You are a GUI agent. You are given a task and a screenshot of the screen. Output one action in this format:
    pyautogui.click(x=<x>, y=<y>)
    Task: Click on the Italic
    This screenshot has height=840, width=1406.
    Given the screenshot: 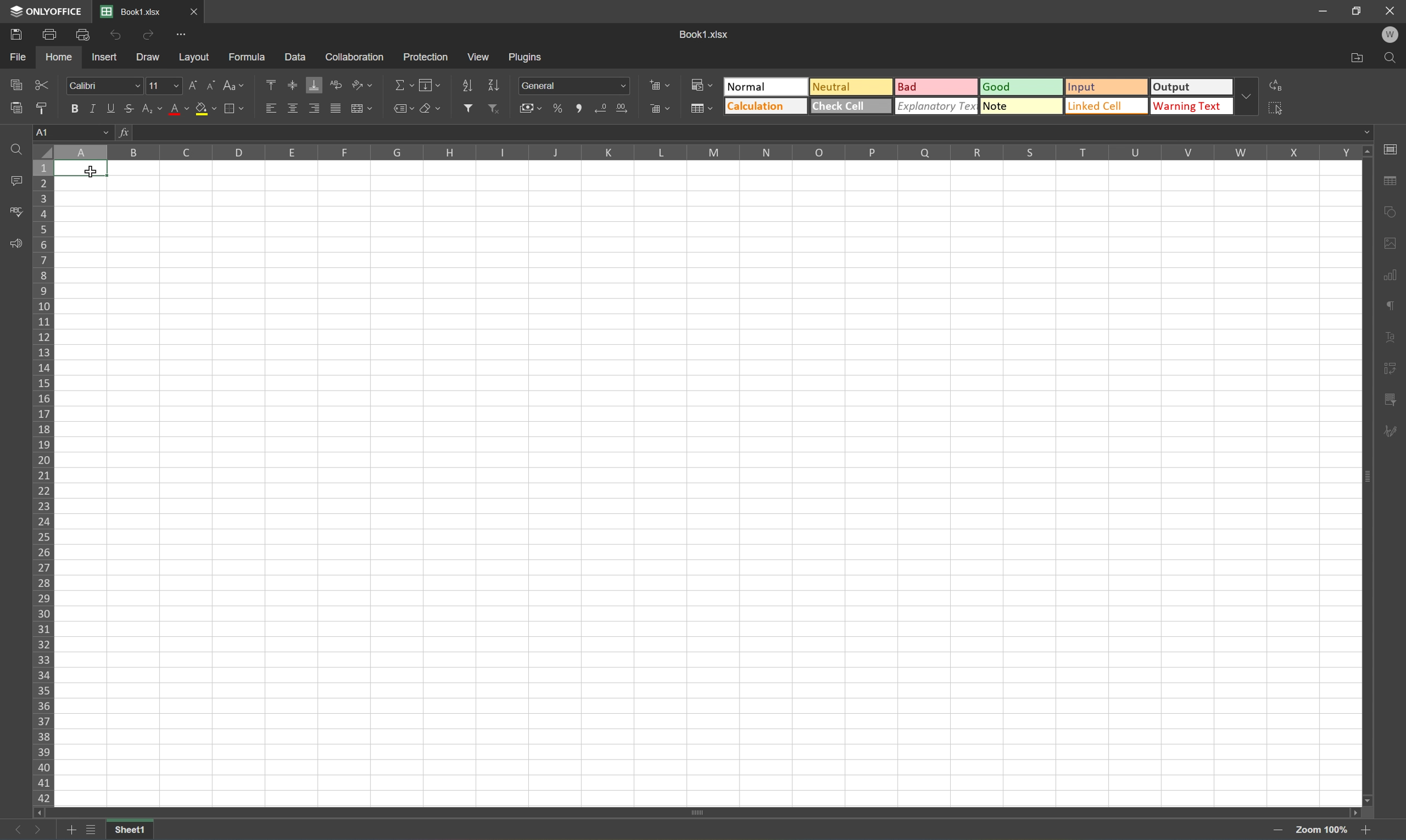 What is the action you would take?
    pyautogui.click(x=97, y=109)
    